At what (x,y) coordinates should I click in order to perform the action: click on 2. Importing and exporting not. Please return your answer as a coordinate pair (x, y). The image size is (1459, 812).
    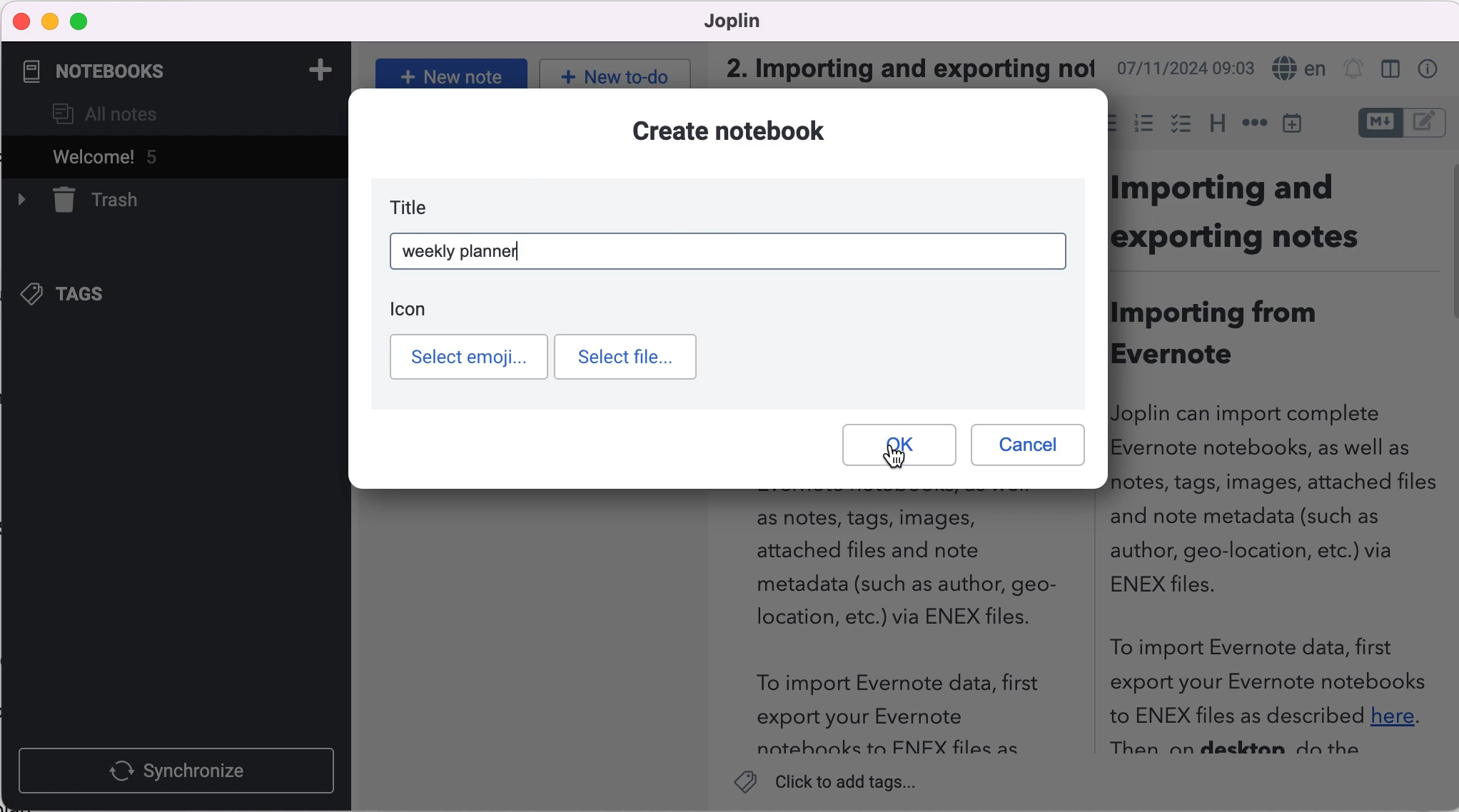
    Looking at the image, I should click on (903, 65).